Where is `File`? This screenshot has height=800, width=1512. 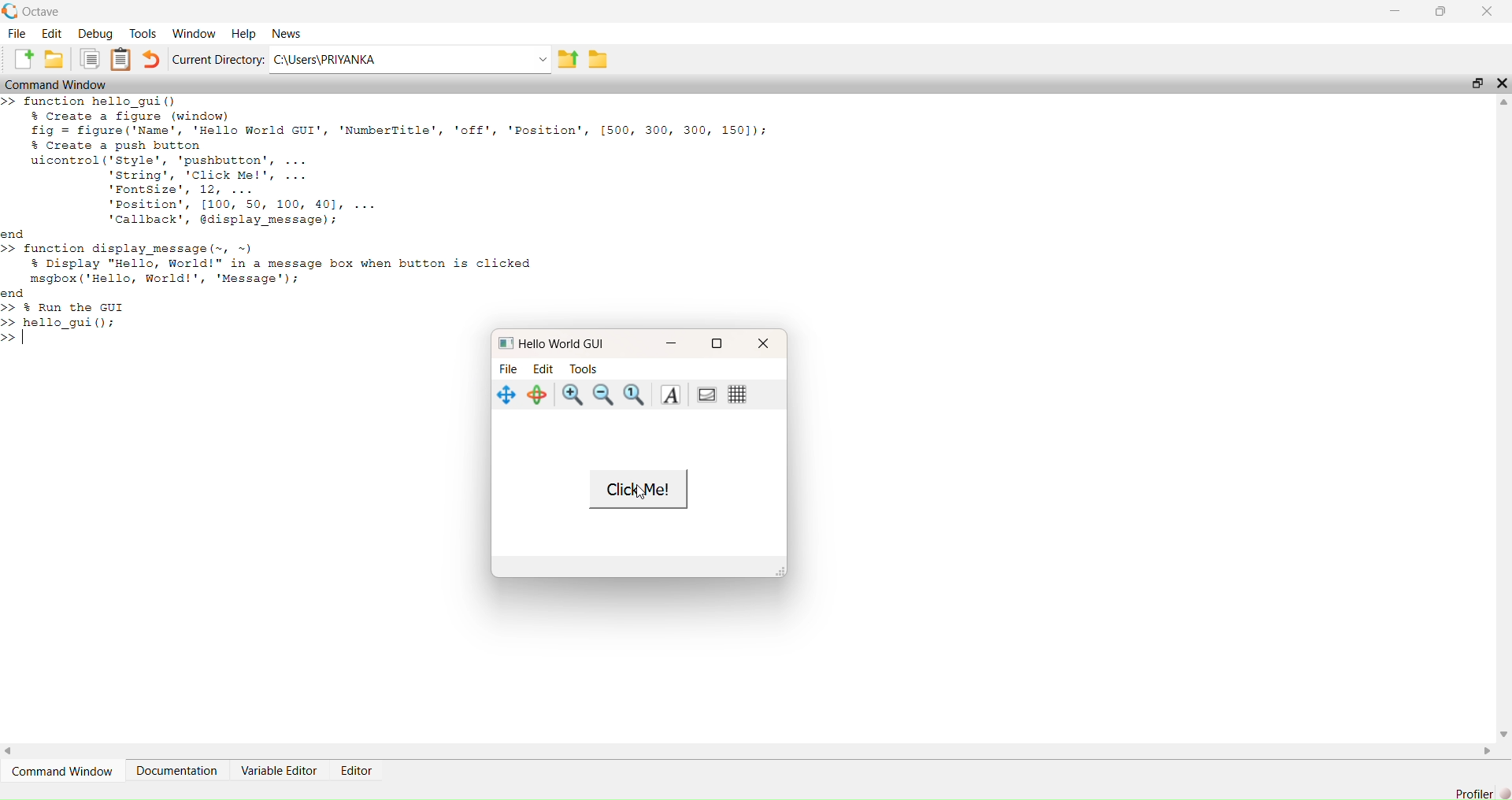 File is located at coordinates (510, 369).